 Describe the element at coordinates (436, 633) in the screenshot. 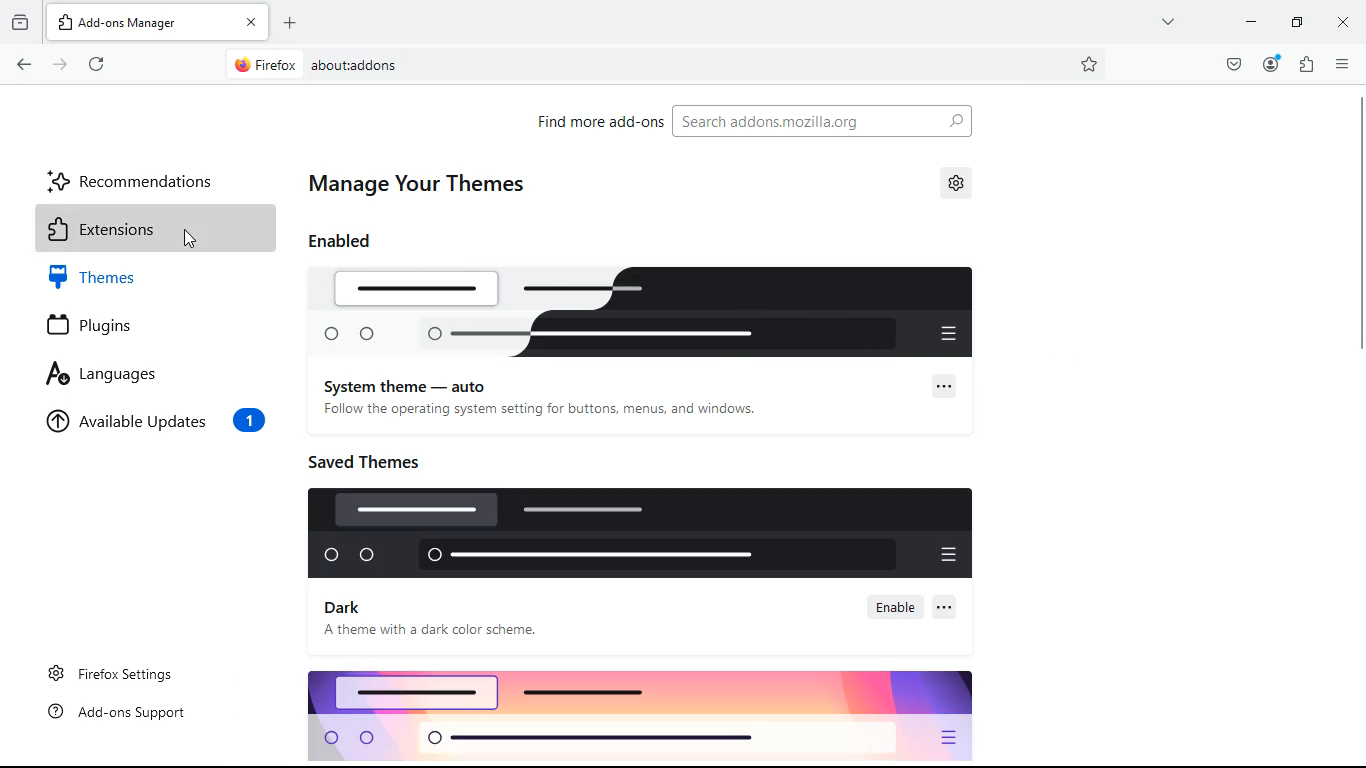

I see `A theme with a dark color scheme.` at that location.